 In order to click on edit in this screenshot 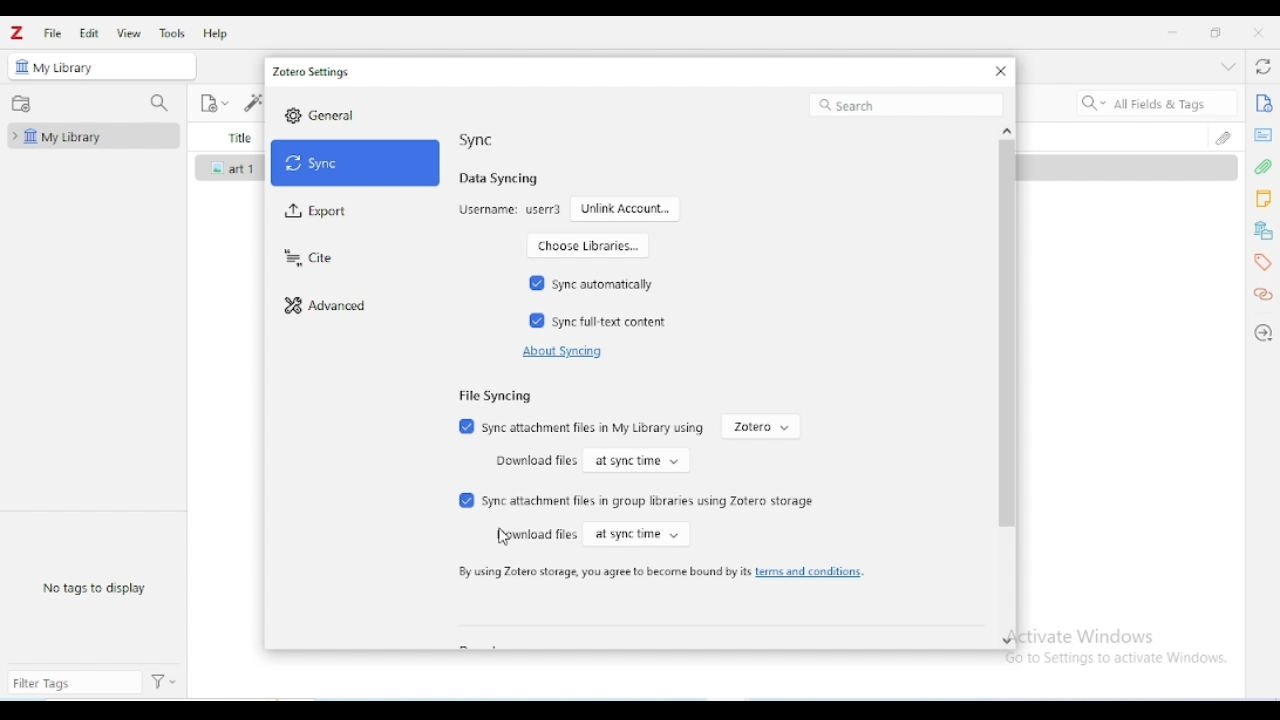, I will do `click(89, 33)`.